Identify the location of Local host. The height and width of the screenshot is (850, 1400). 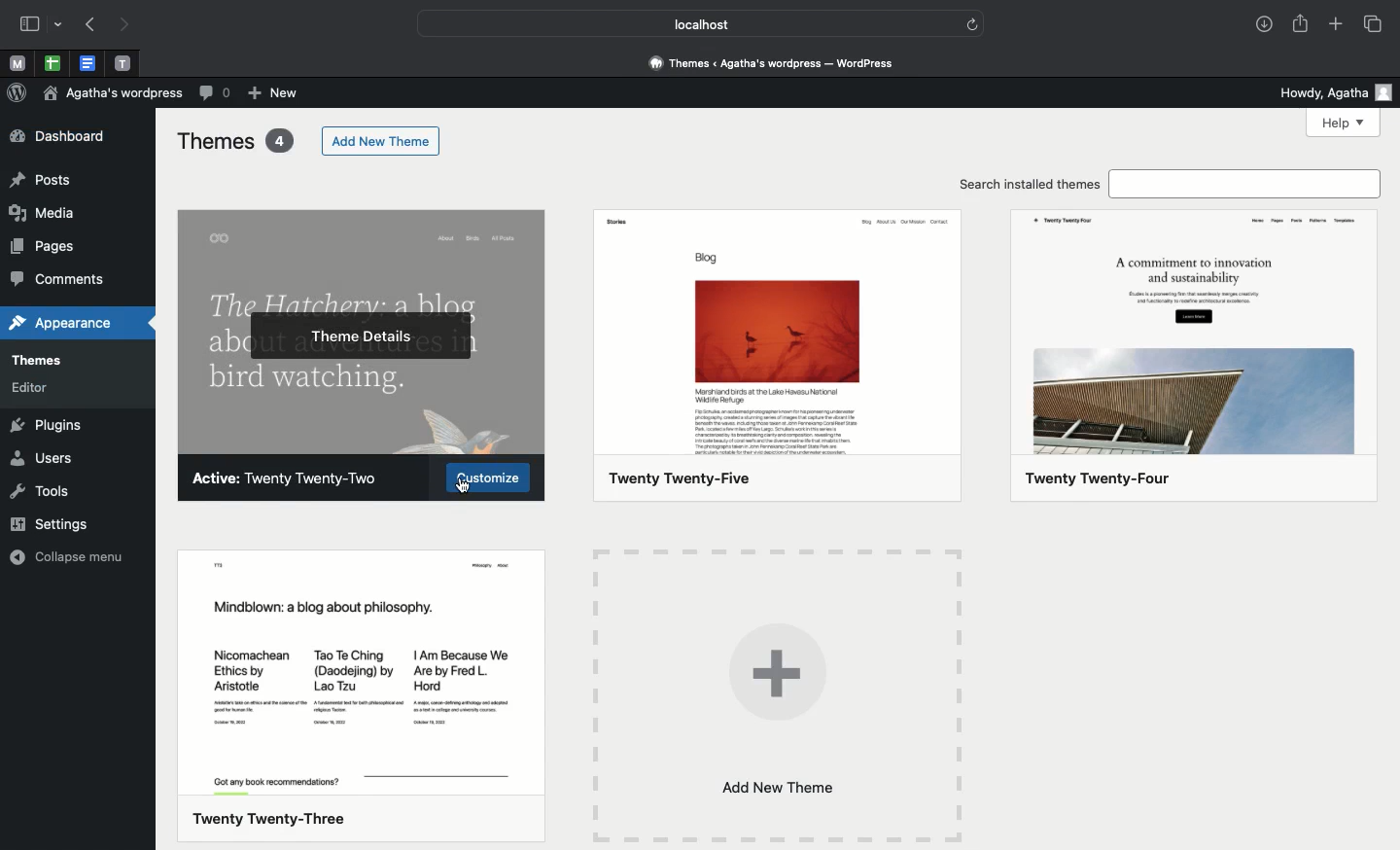
(686, 23).